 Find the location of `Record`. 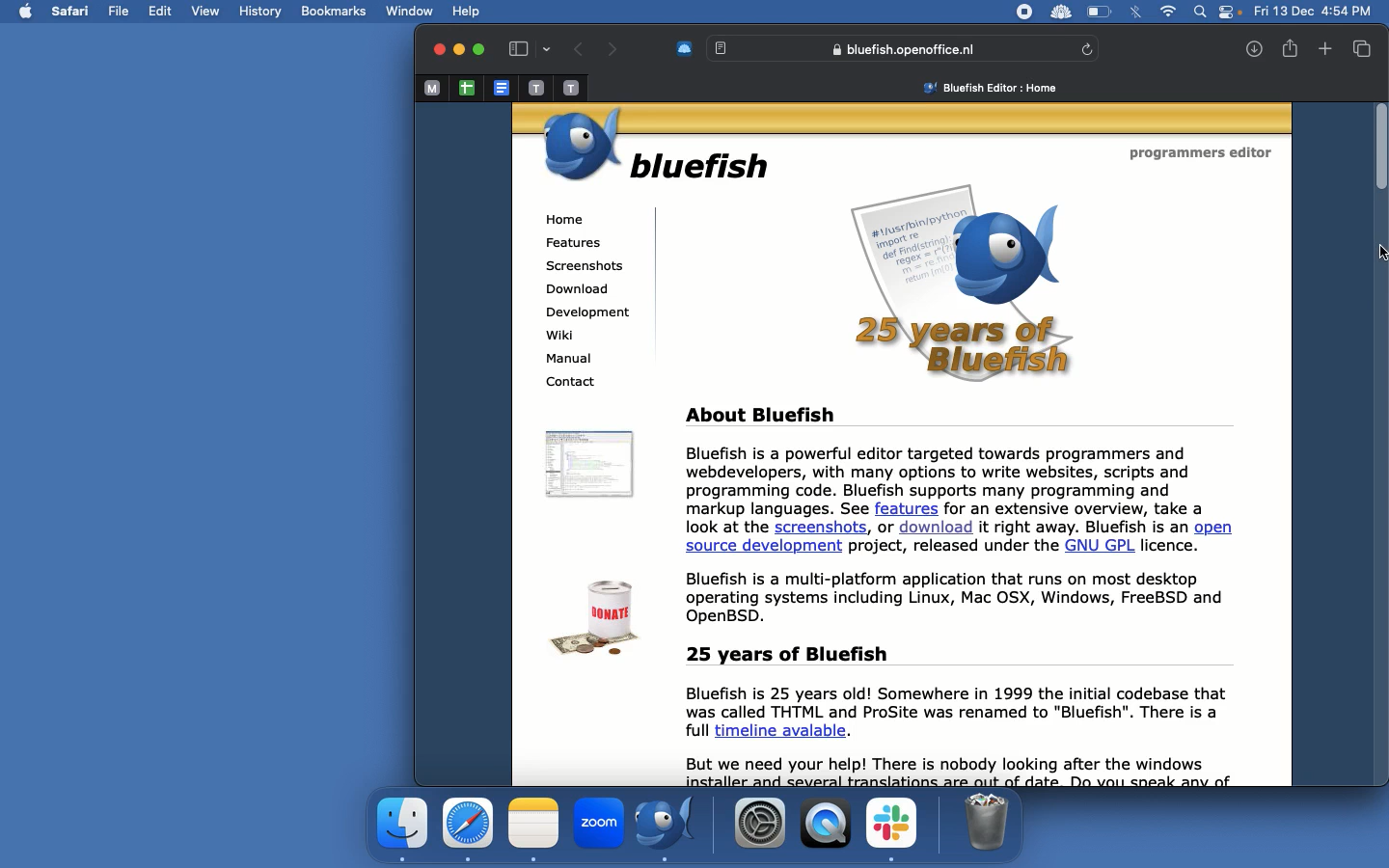

Record is located at coordinates (1024, 12).